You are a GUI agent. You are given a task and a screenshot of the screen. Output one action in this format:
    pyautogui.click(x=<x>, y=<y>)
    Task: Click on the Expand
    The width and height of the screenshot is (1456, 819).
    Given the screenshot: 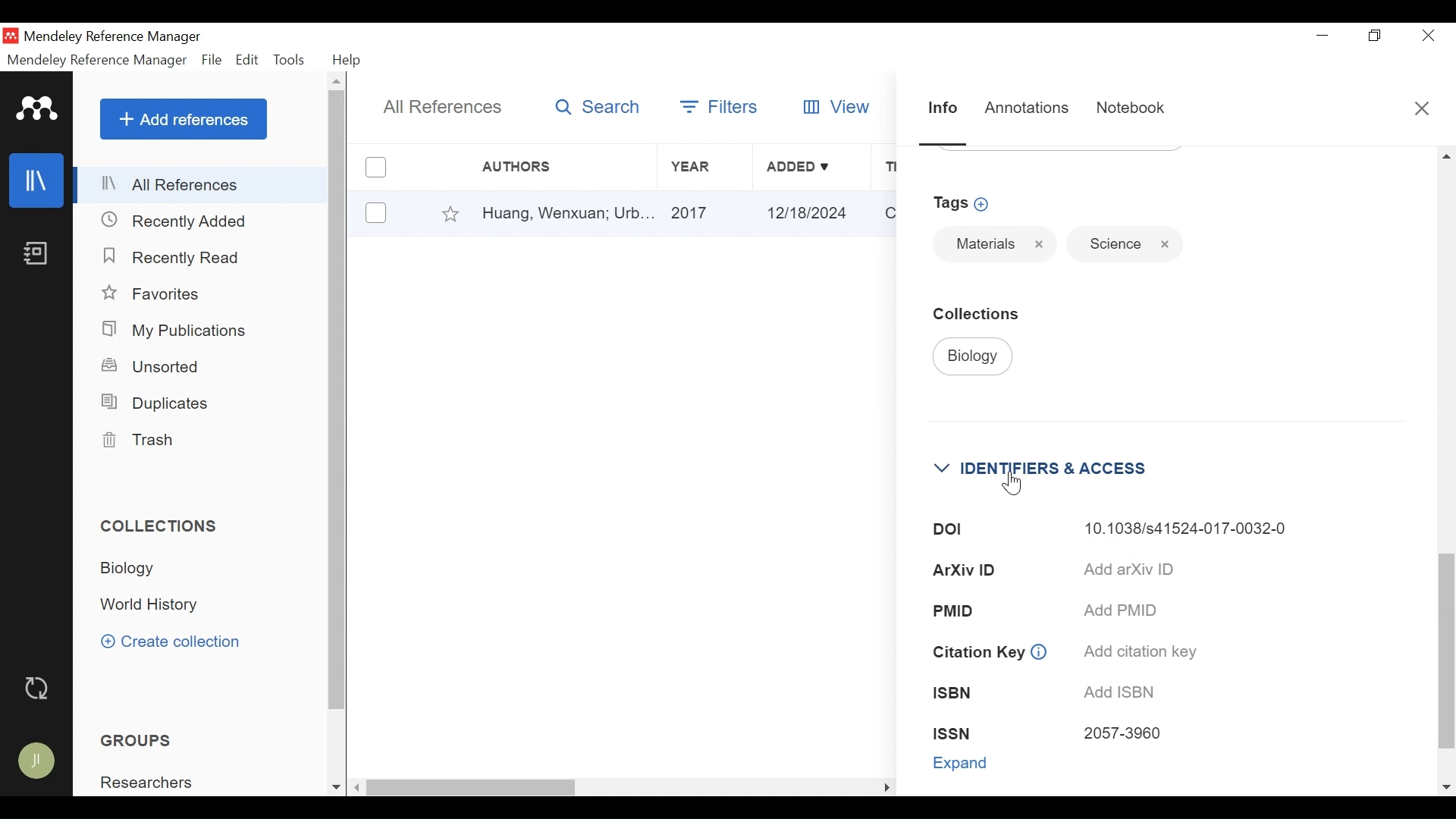 What is the action you would take?
    pyautogui.click(x=962, y=763)
    